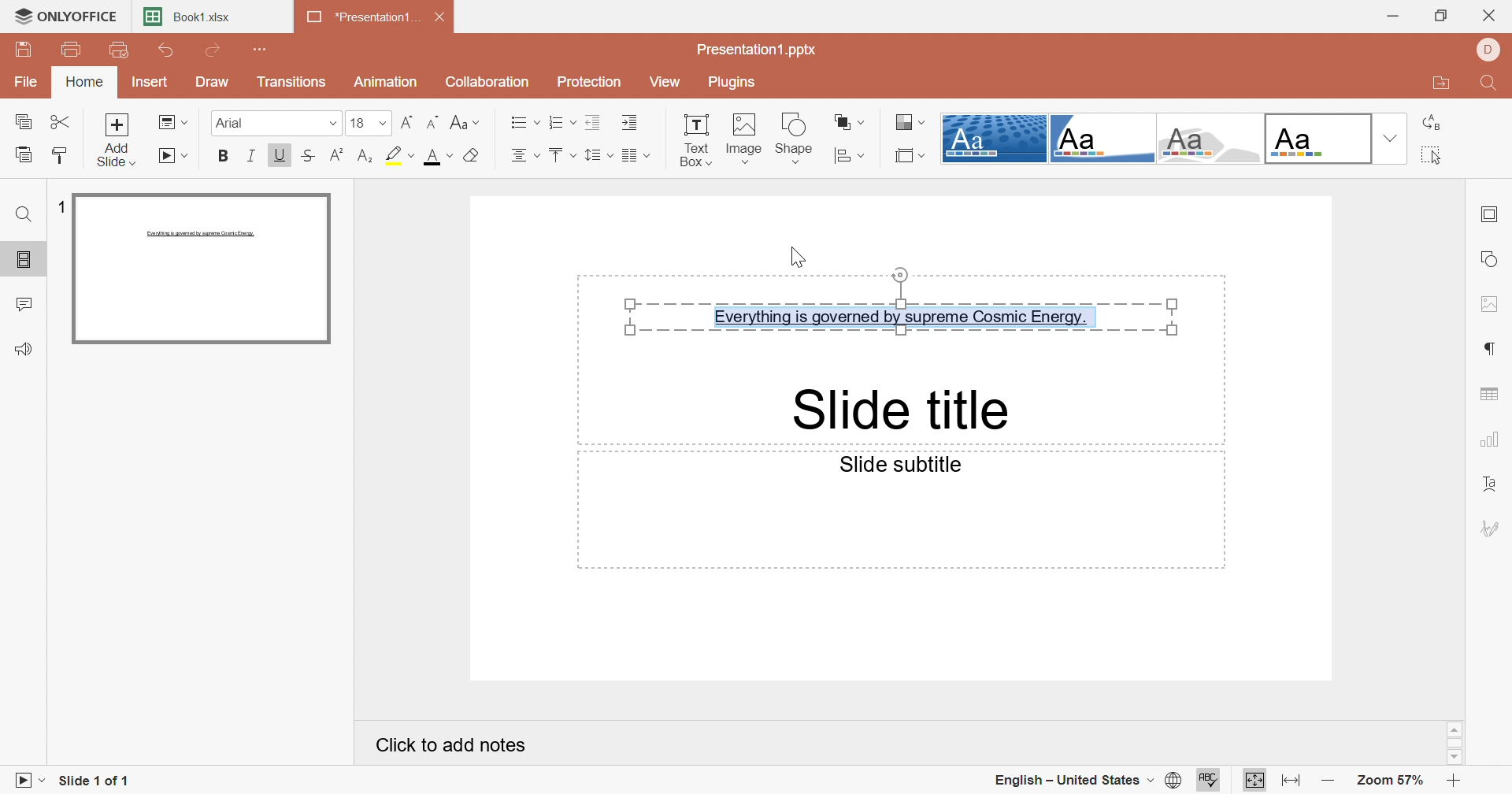  I want to click on font color, so click(439, 156).